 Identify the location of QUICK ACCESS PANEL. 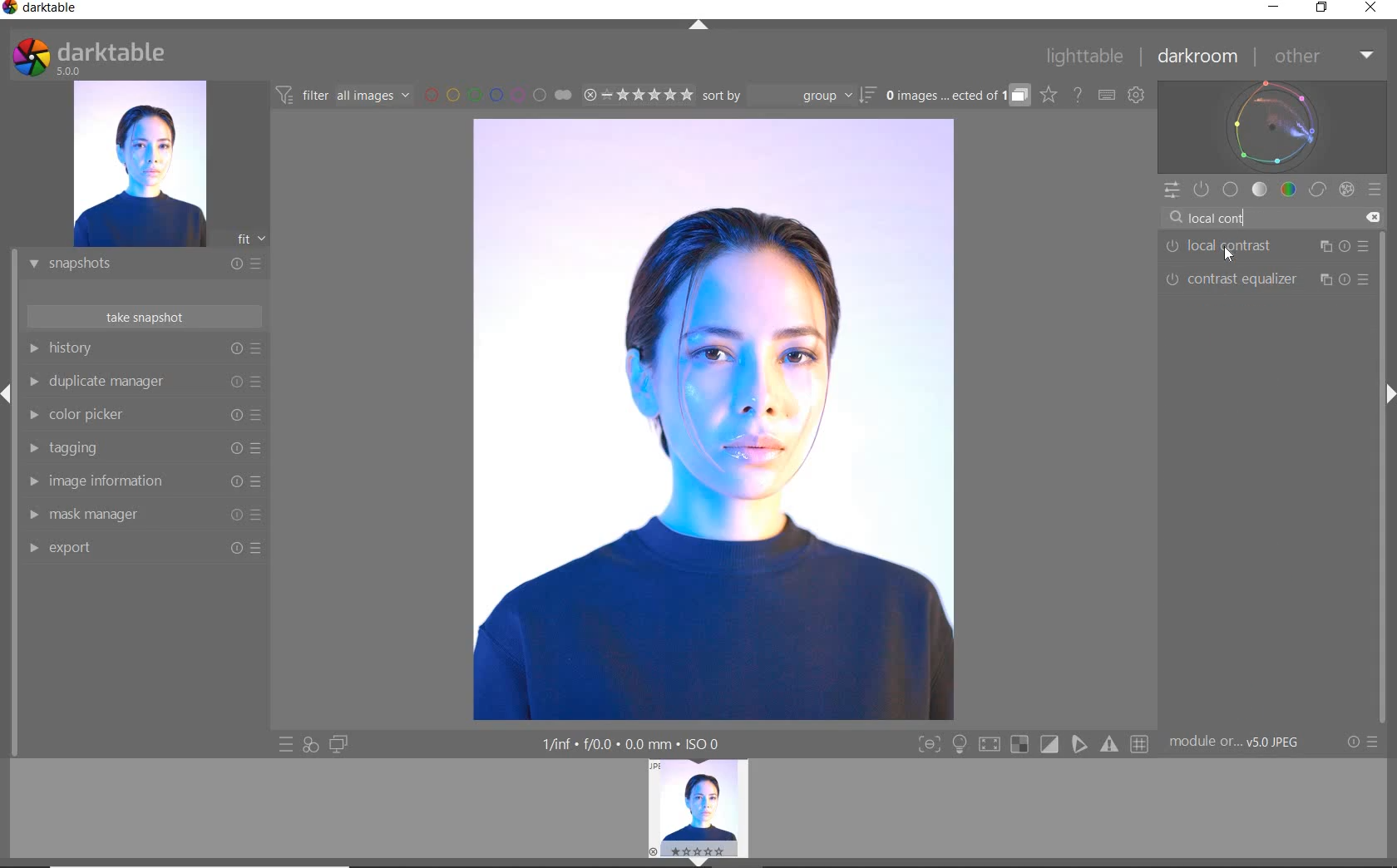
(1171, 191).